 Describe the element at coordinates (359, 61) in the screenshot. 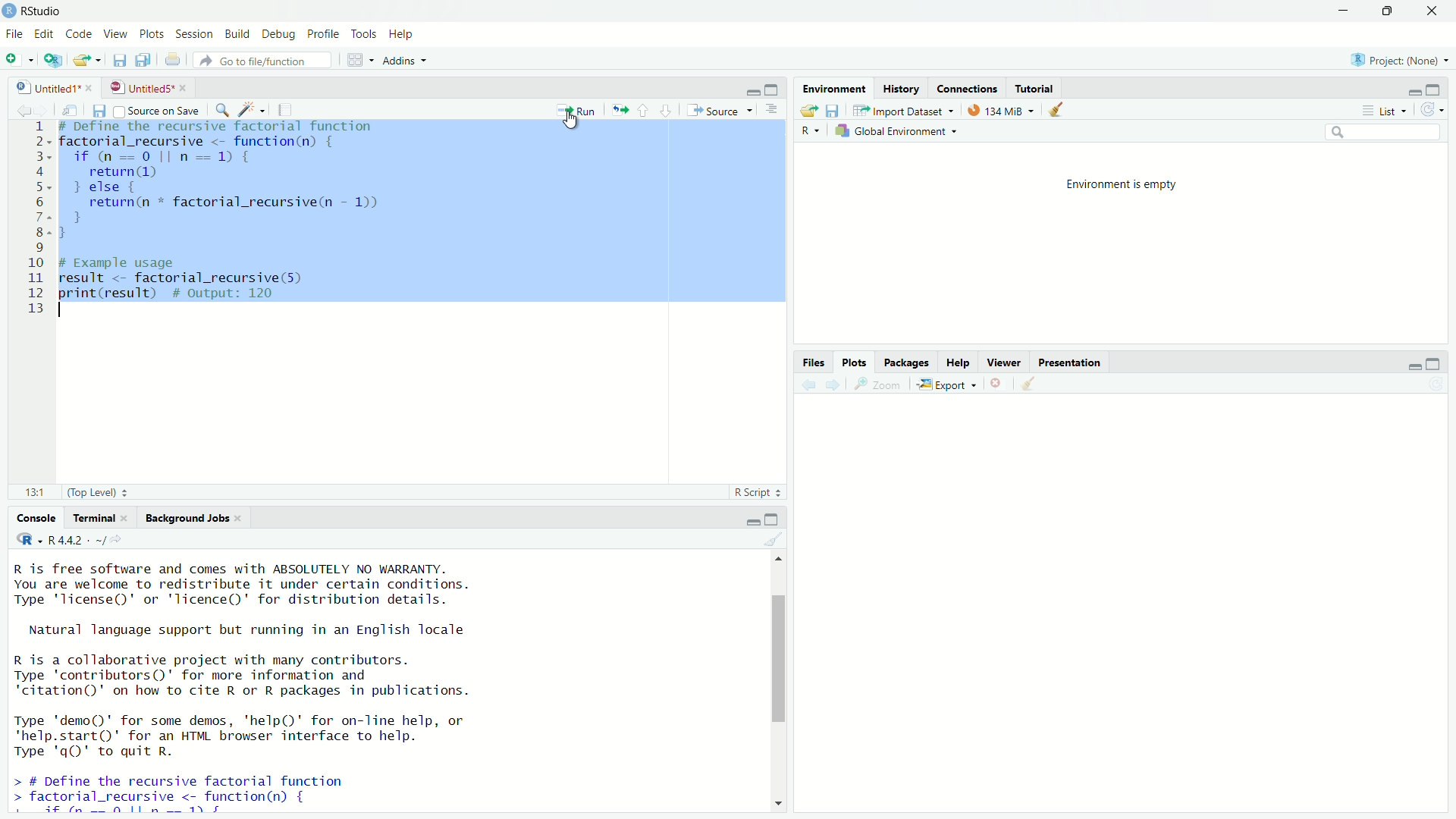

I see `Workspace panes` at that location.